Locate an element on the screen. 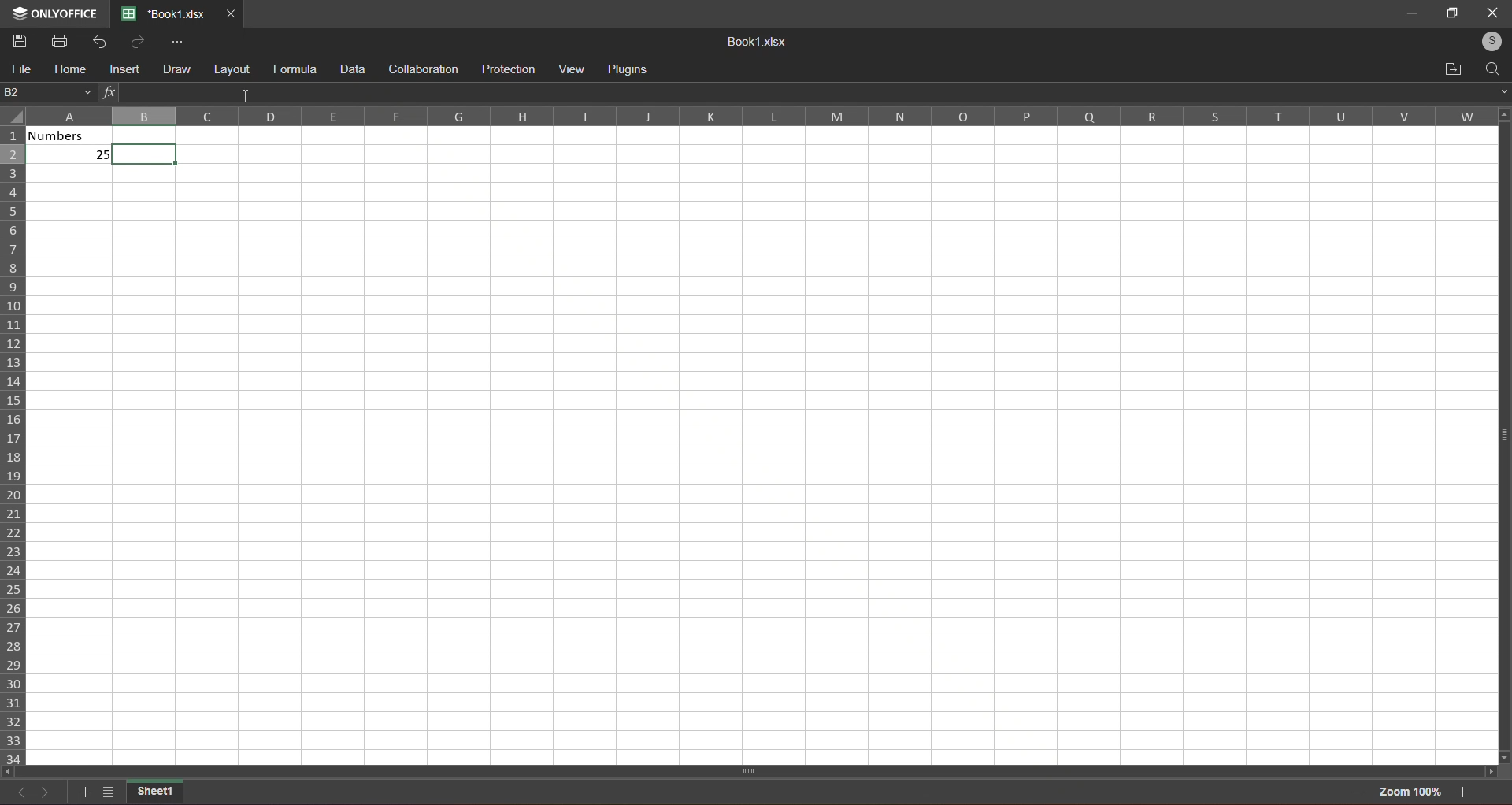 The image size is (1512, 805). current tab is located at coordinates (164, 14).